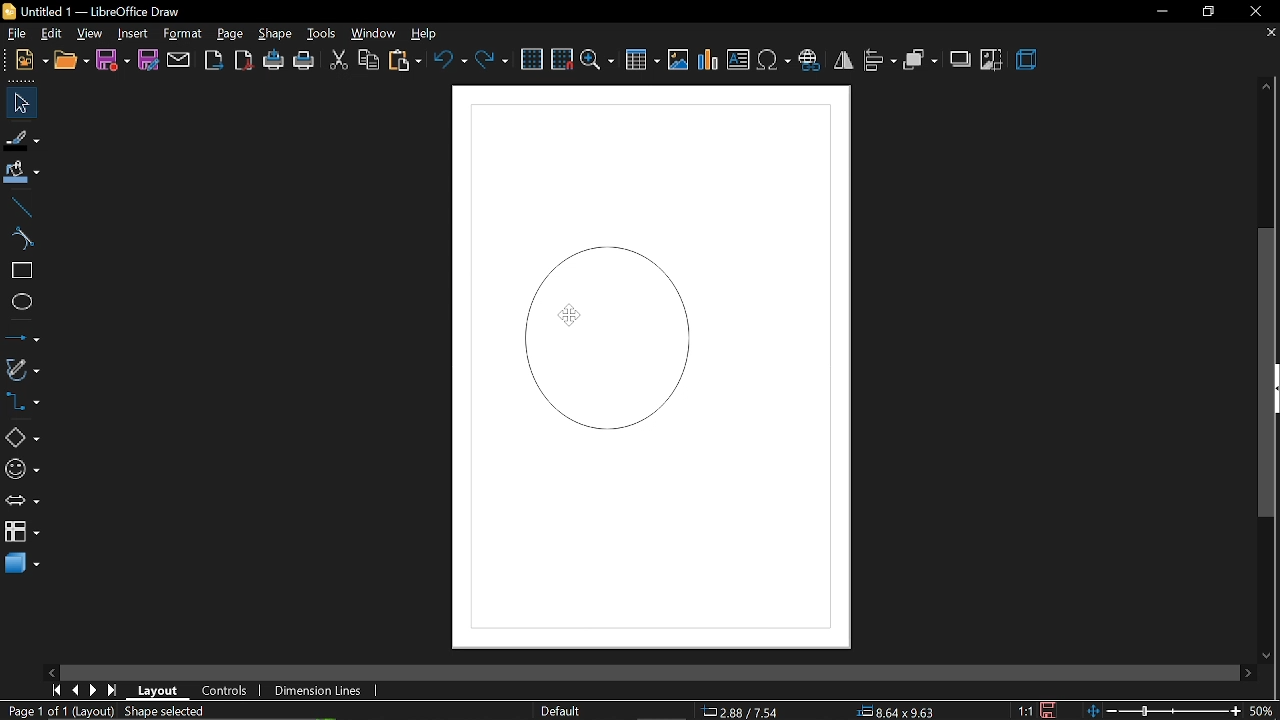 This screenshot has height=720, width=1280. What do you see at coordinates (242, 62) in the screenshot?
I see `export as` at bounding box center [242, 62].